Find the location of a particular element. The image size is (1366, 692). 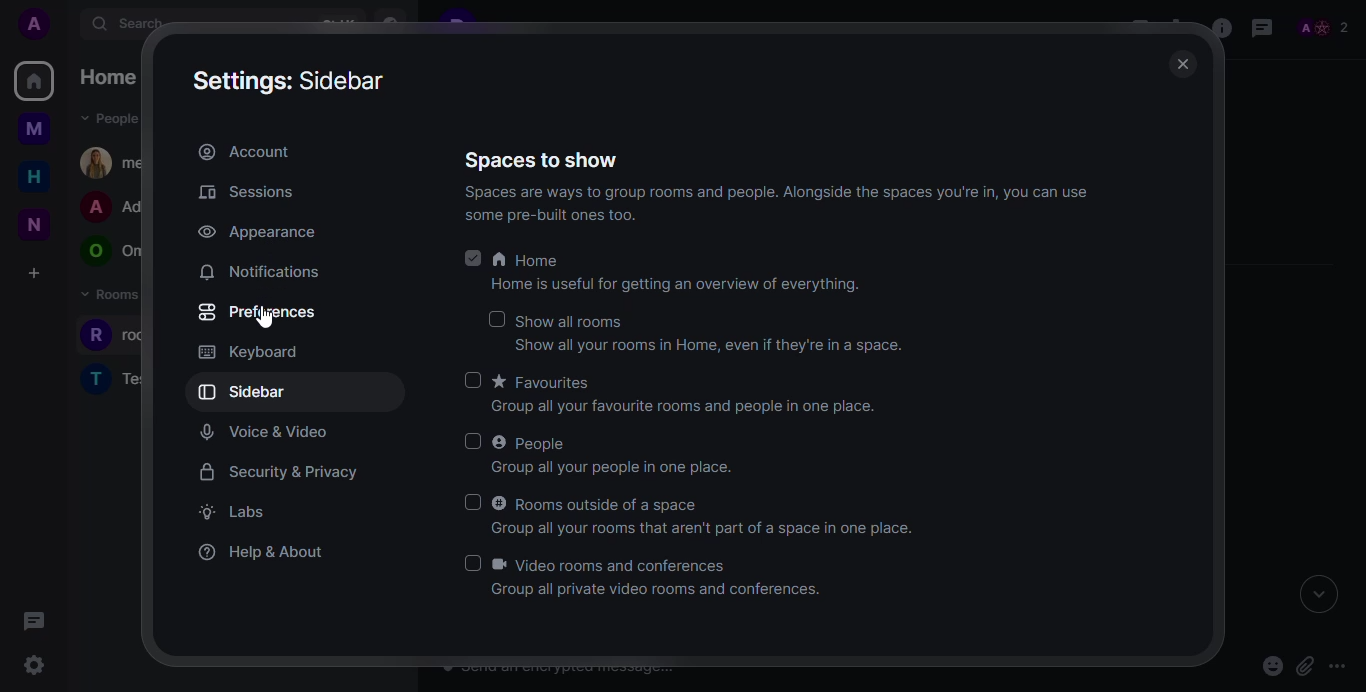

show all rooms is located at coordinates (568, 322).